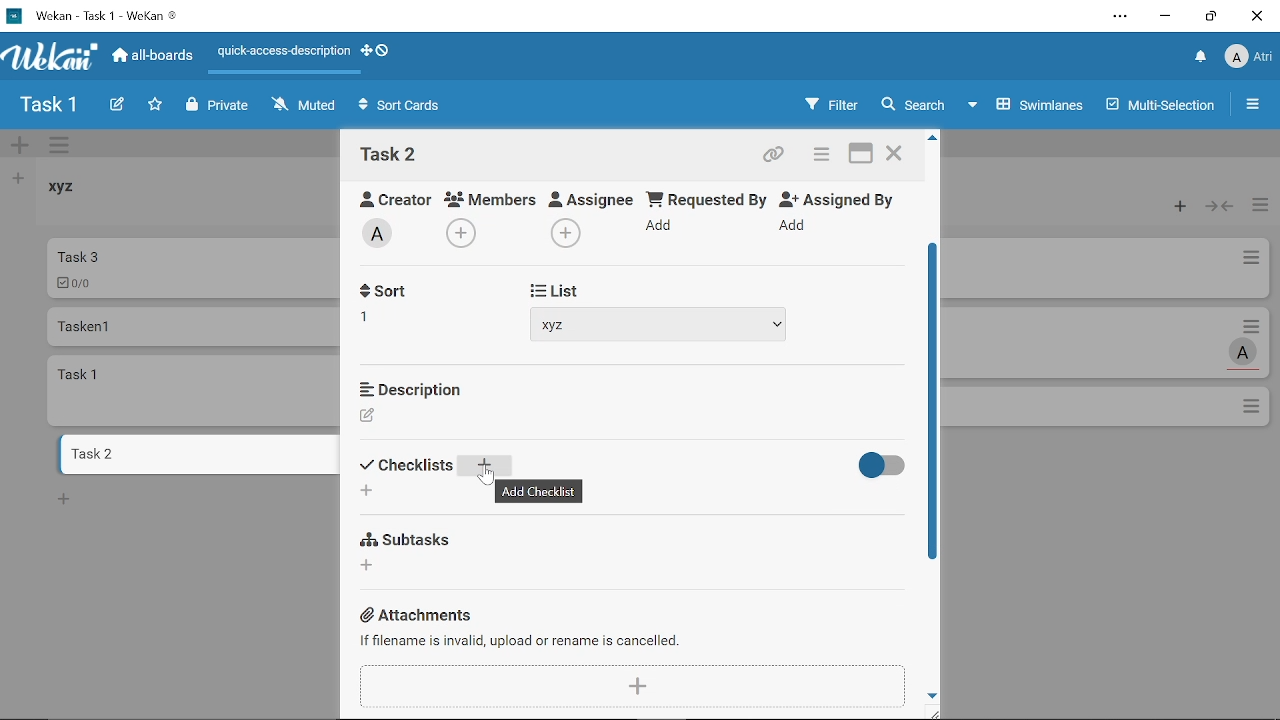 Image resolution: width=1280 pixels, height=720 pixels. I want to click on Sort Cards, so click(404, 107).